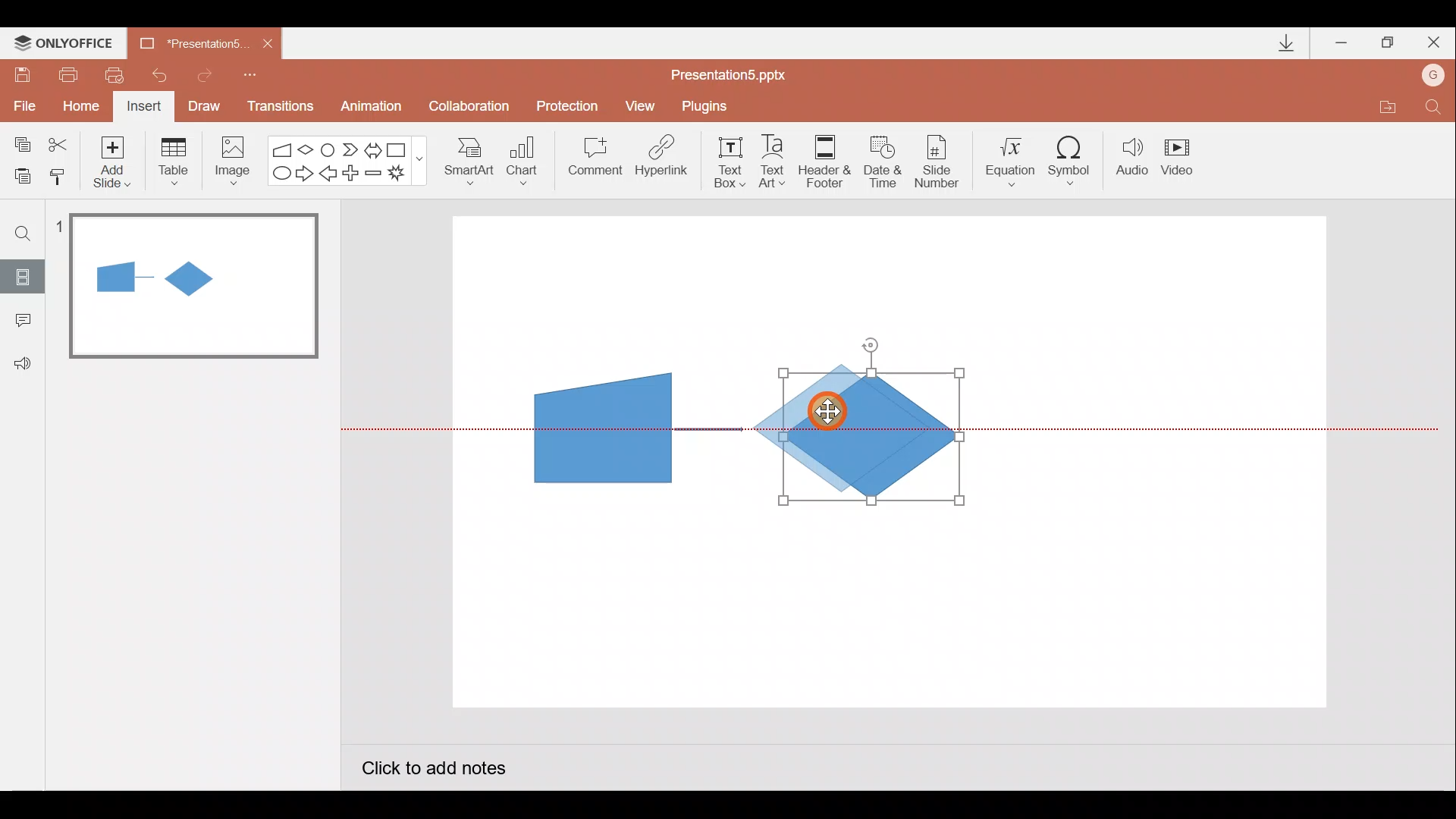 The image size is (1456, 819). What do you see at coordinates (142, 106) in the screenshot?
I see `Insert` at bounding box center [142, 106].